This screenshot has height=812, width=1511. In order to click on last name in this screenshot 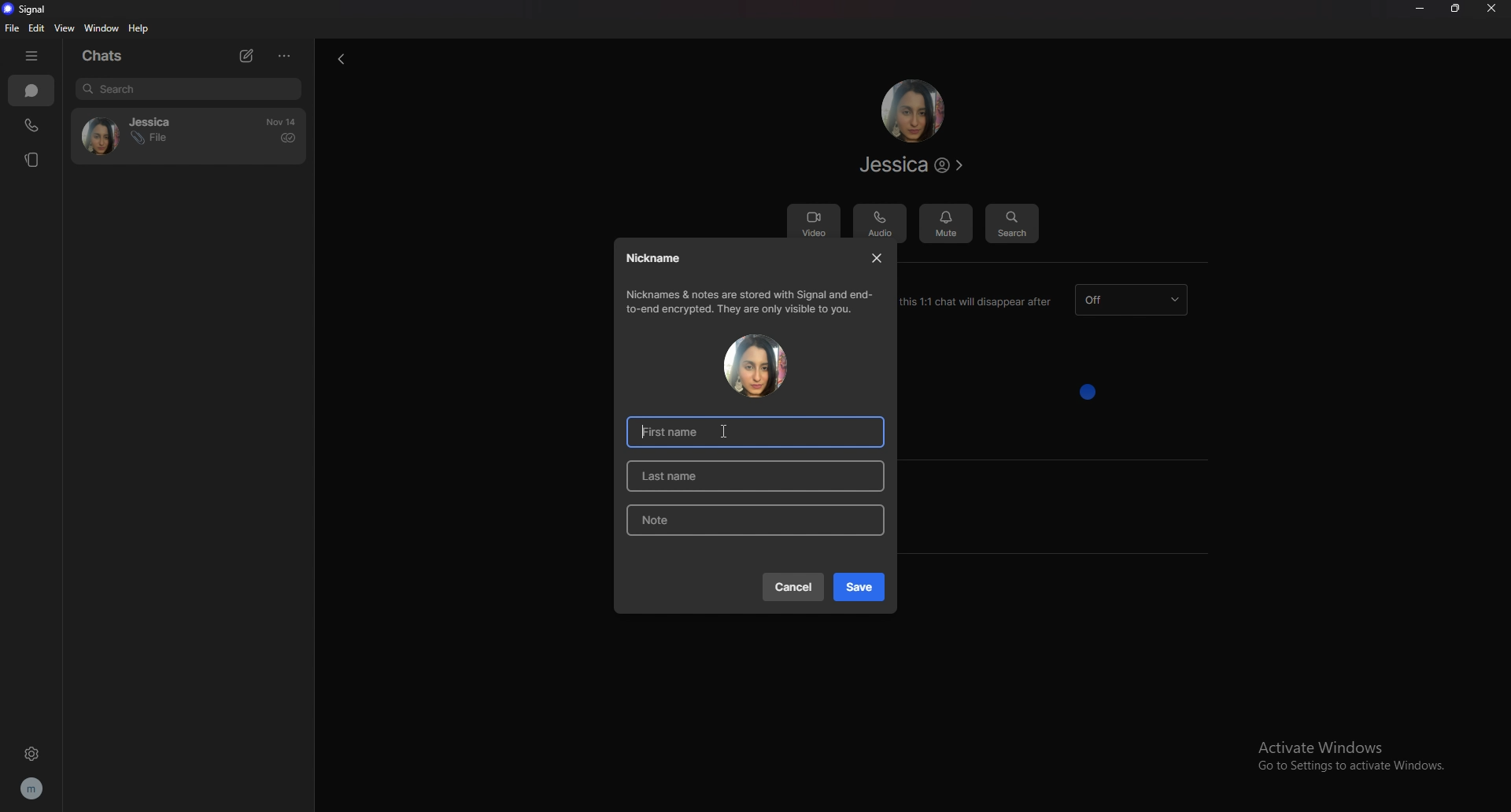, I will do `click(760, 475)`.